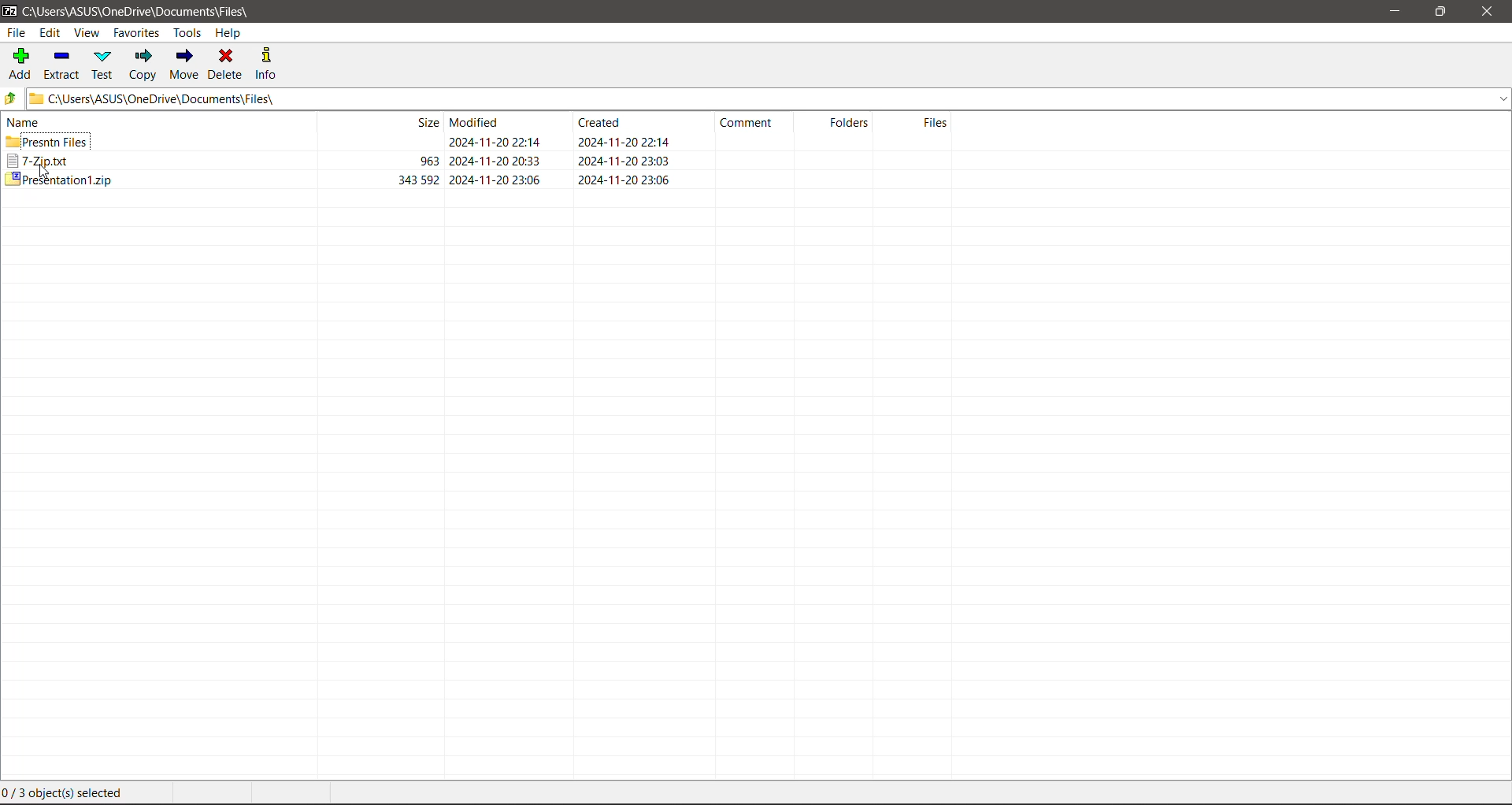  I want to click on Minimize, so click(1393, 11).